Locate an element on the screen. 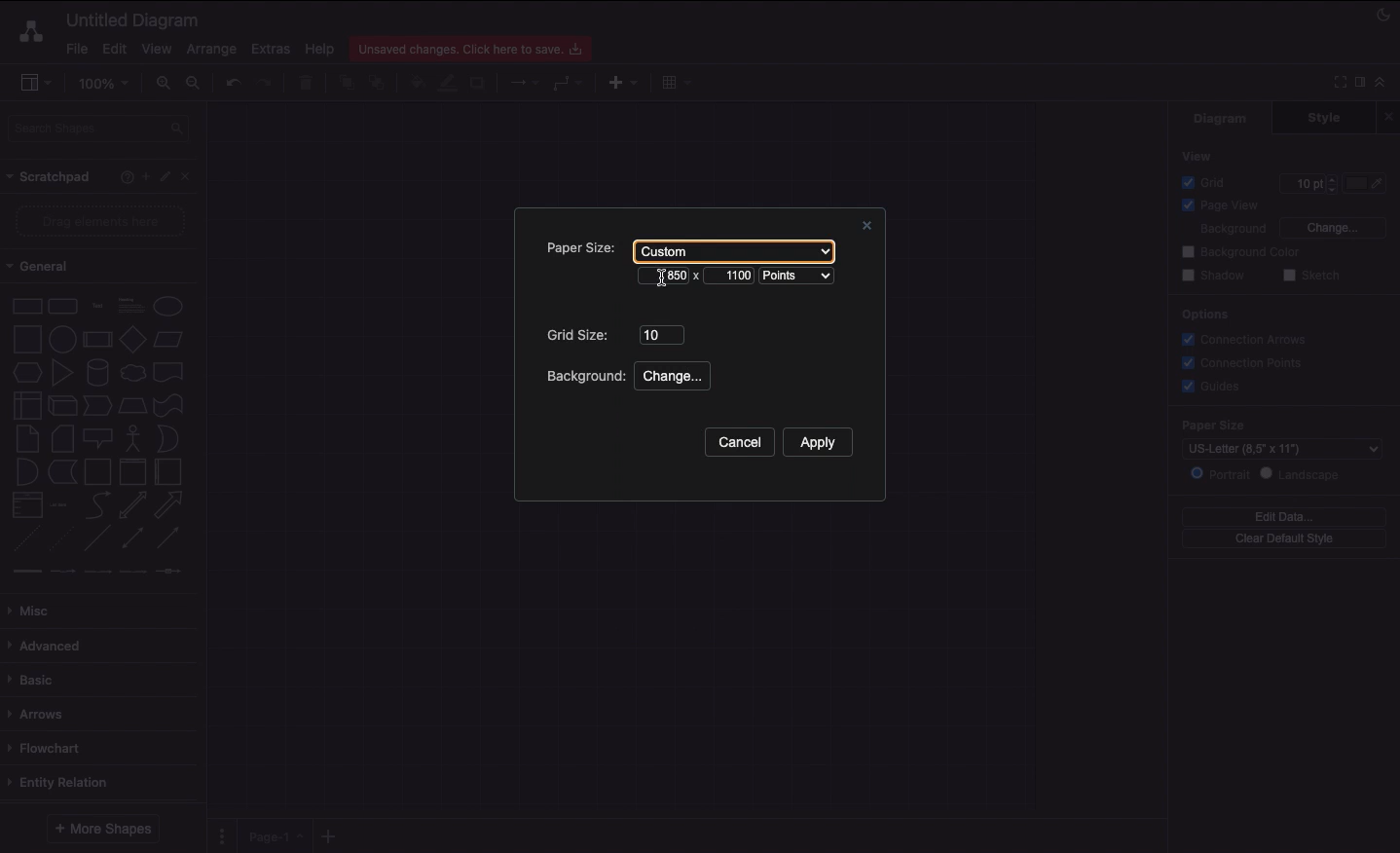 Image resolution: width=1400 pixels, height=853 pixels. 1100 is located at coordinates (737, 278).